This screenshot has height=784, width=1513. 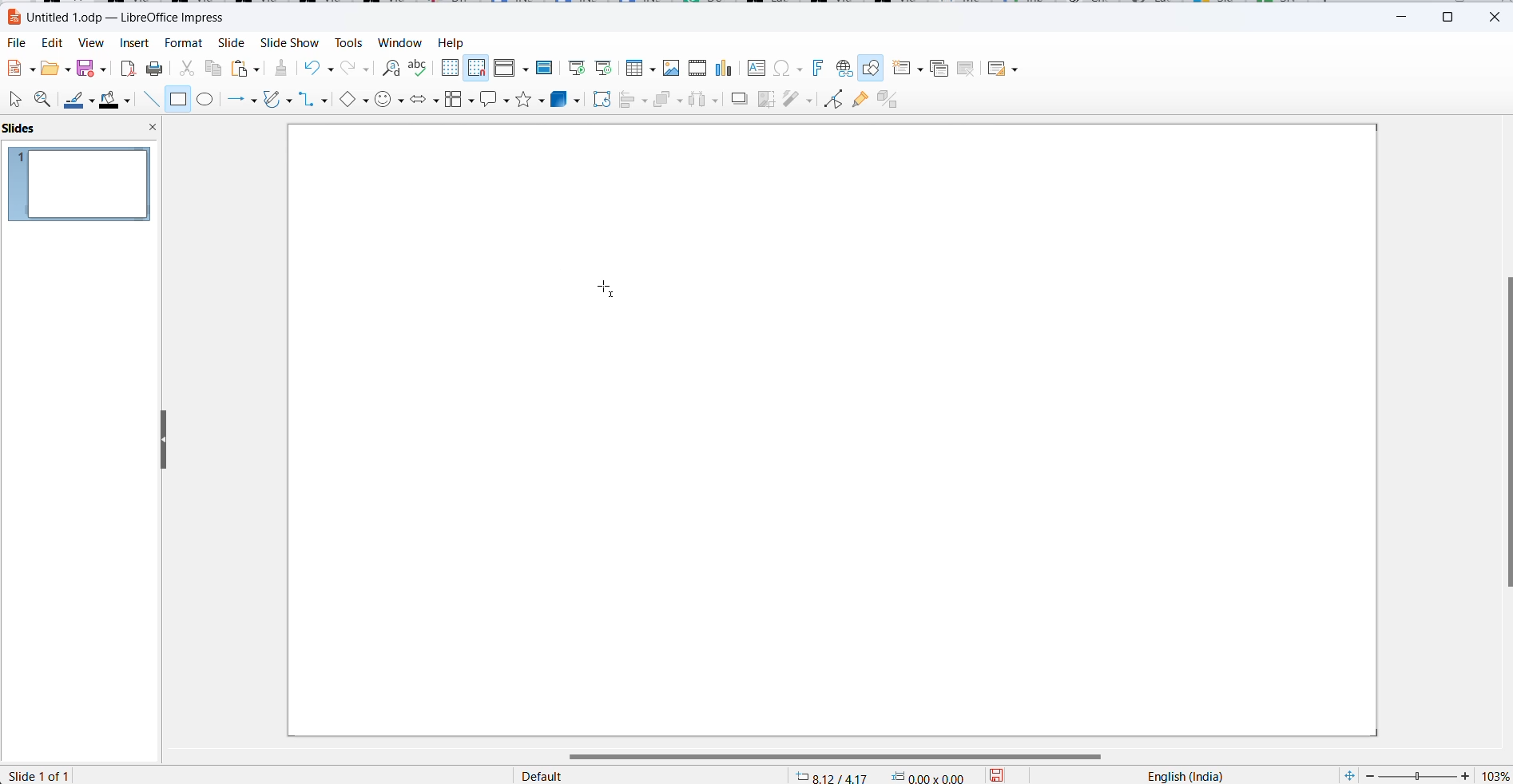 I want to click on toggle endpoint edit mode, so click(x=831, y=98).